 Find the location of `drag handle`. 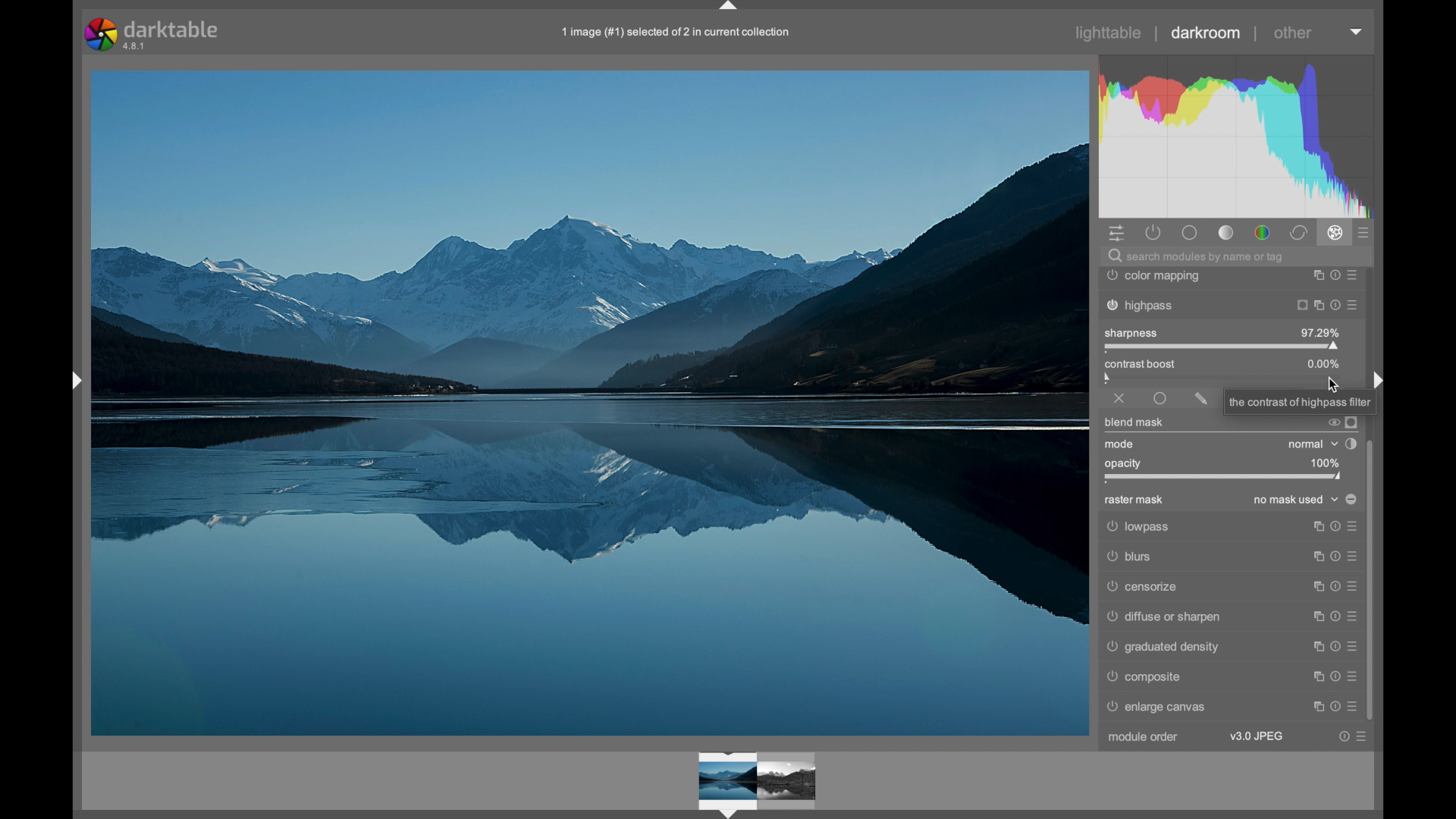

drag handle is located at coordinates (729, 8).